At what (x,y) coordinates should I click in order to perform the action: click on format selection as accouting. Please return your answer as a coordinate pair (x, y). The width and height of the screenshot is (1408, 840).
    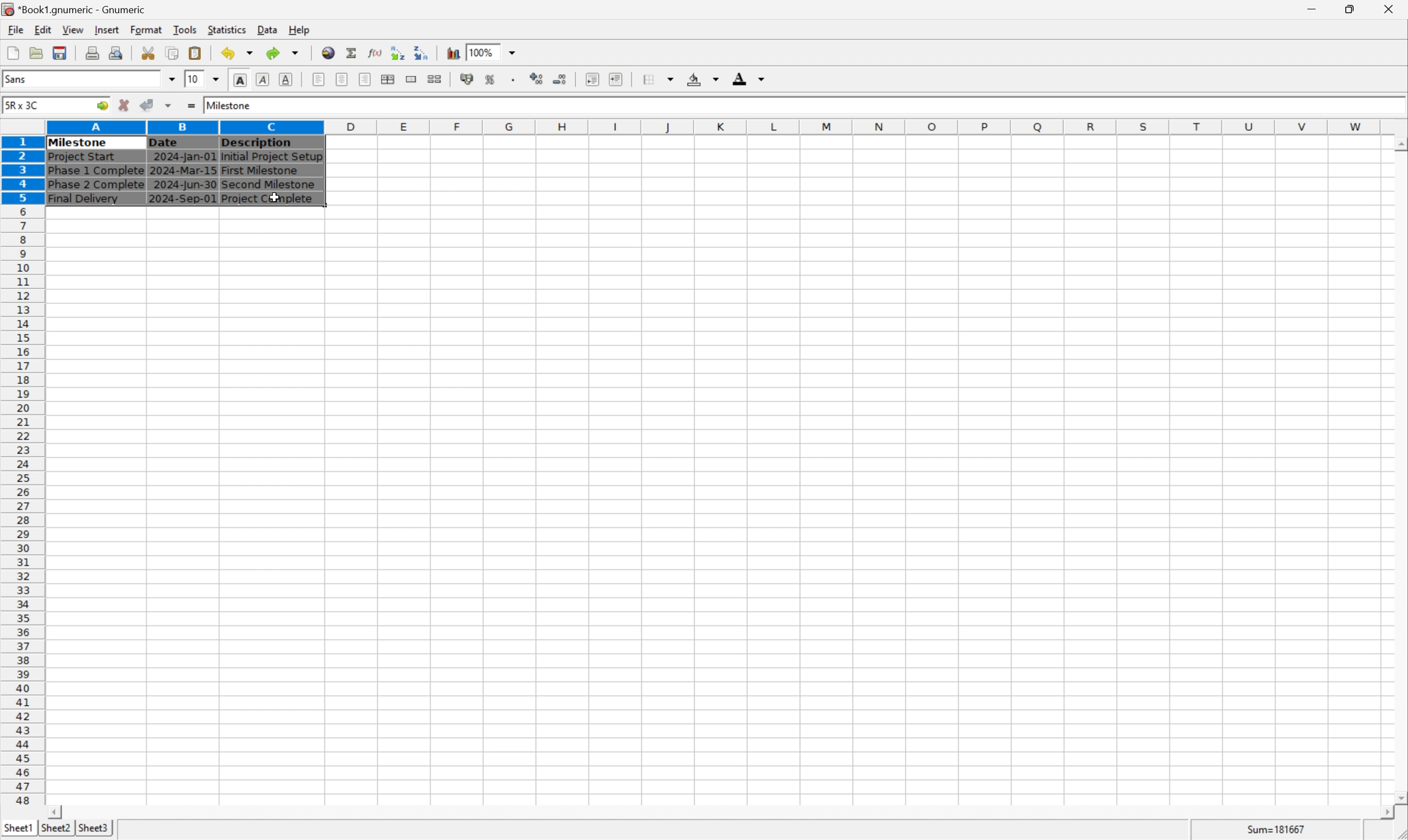
    Looking at the image, I should click on (468, 79).